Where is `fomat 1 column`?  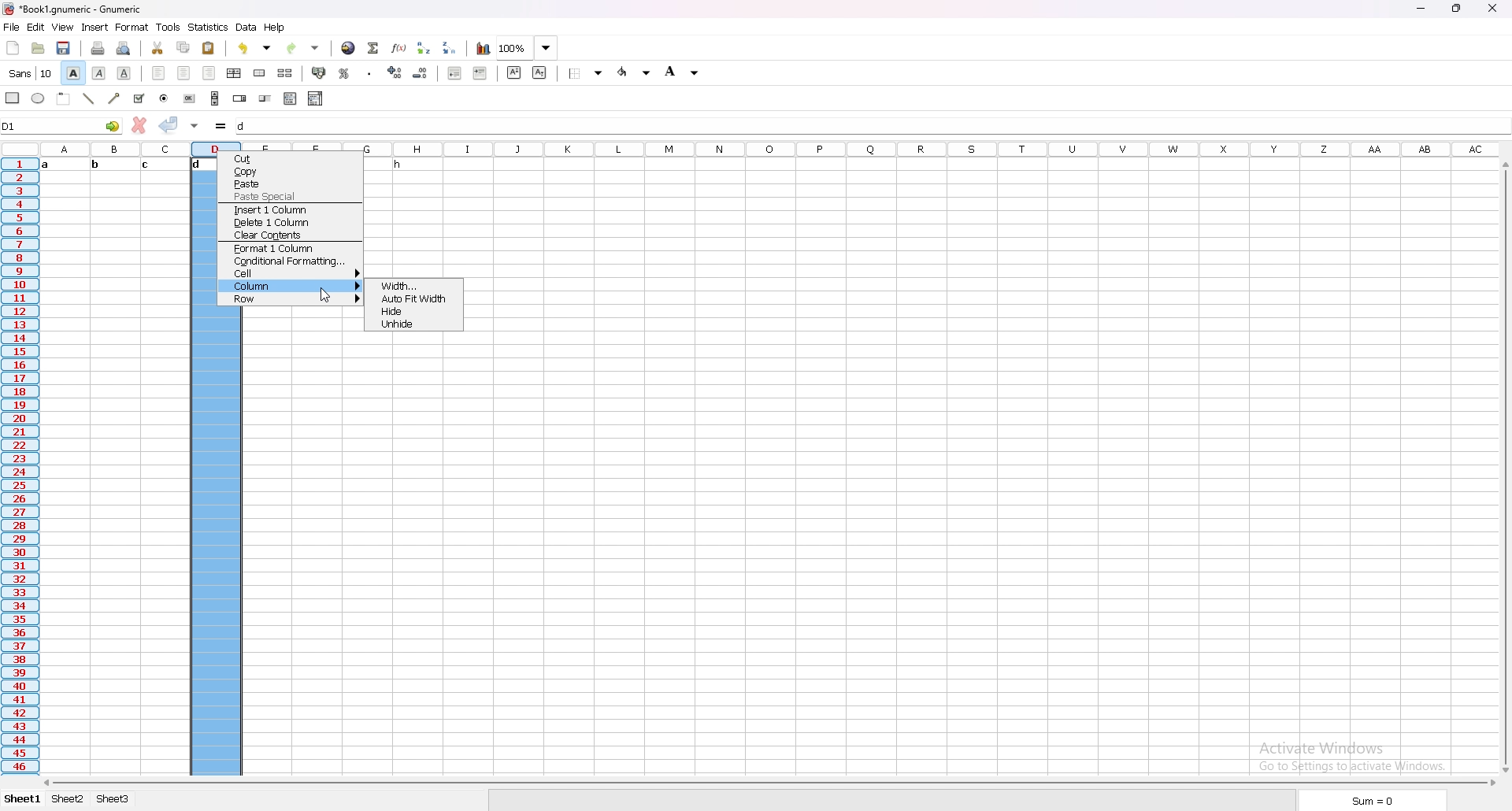 fomat 1 column is located at coordinates (290, 248).